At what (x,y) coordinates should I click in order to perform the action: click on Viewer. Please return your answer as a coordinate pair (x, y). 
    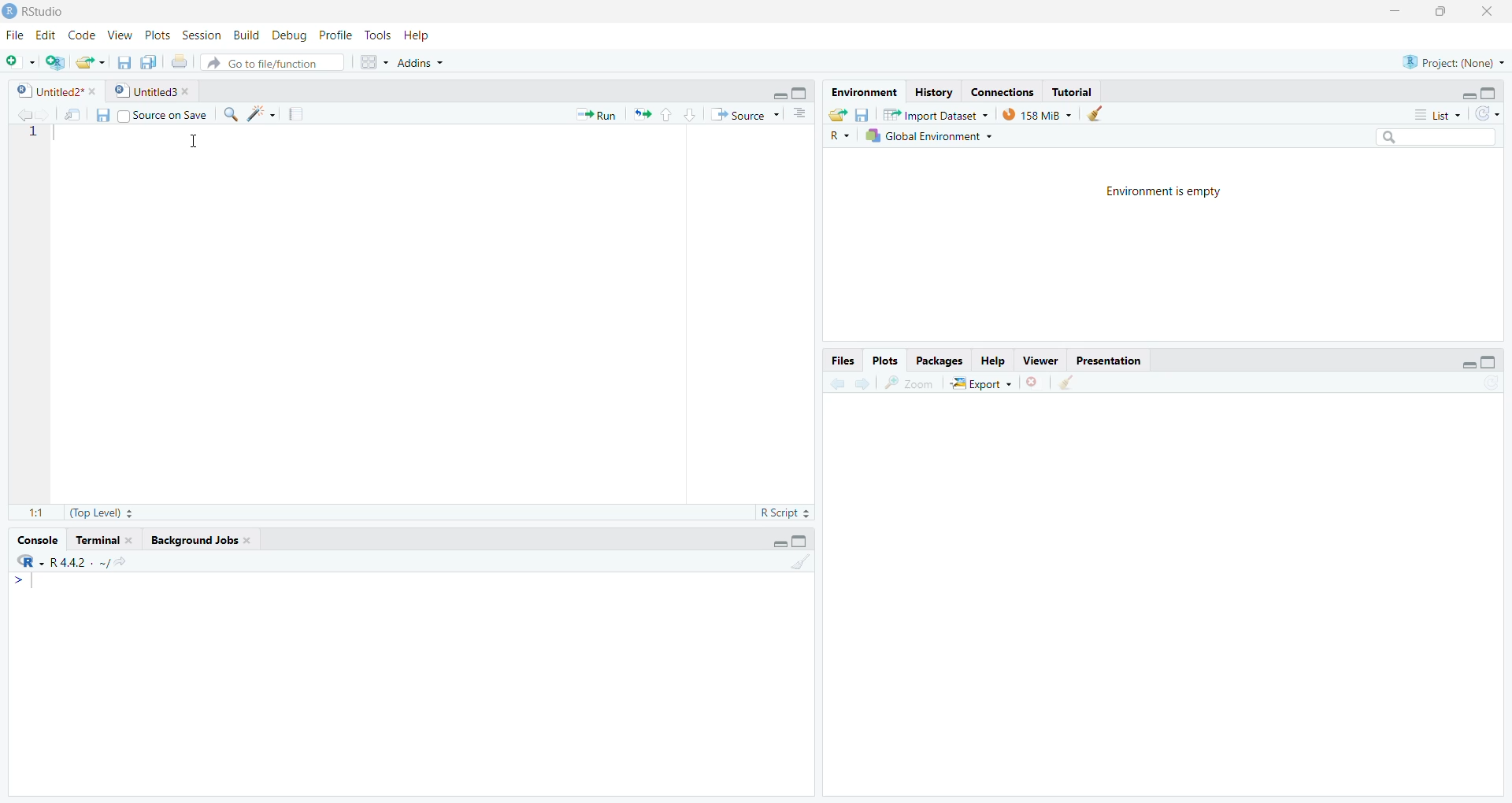
    Looking at the image, I should click on (1041, 361).